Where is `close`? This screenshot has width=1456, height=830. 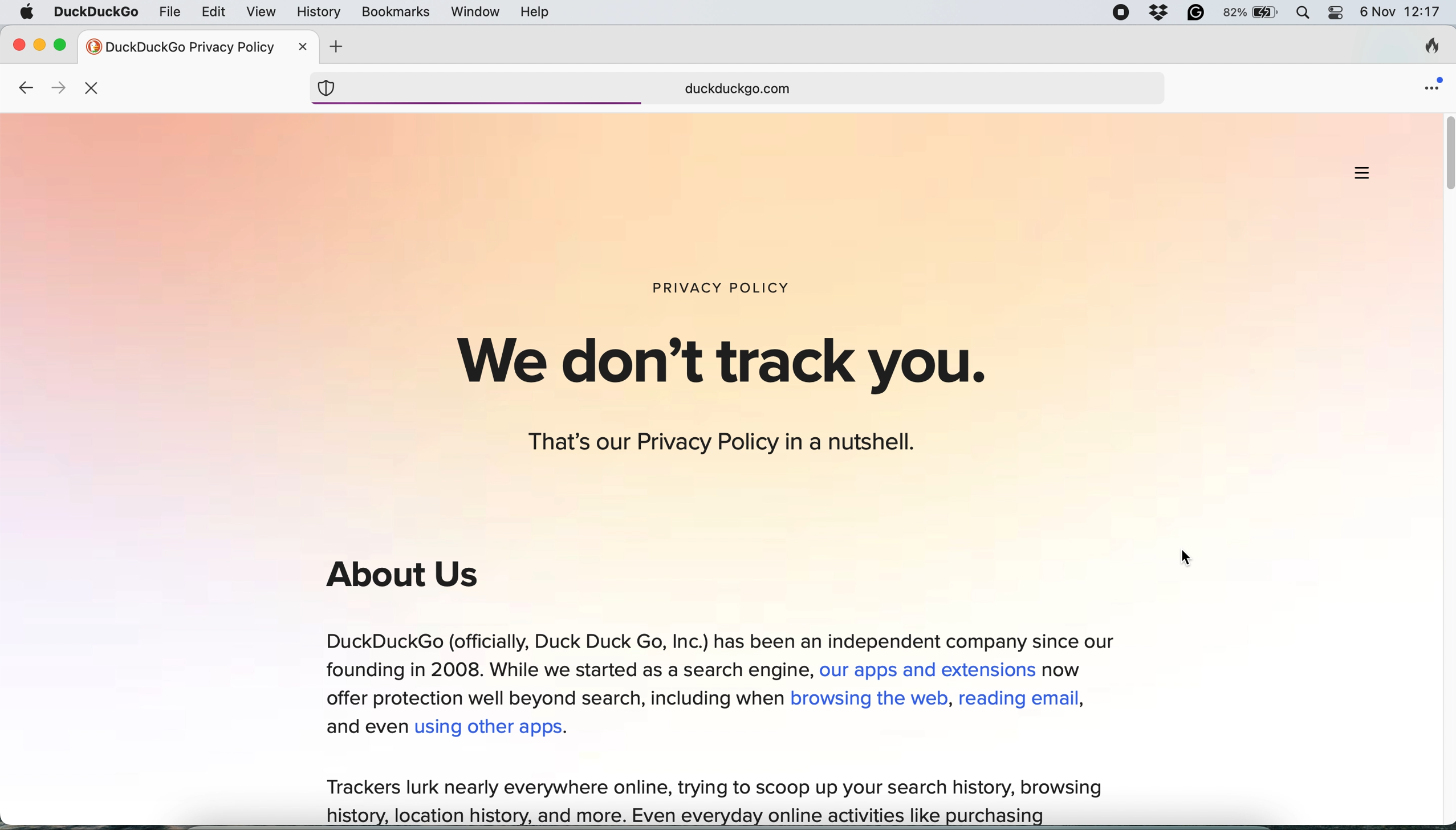 close is located at coordinates (302, 46).